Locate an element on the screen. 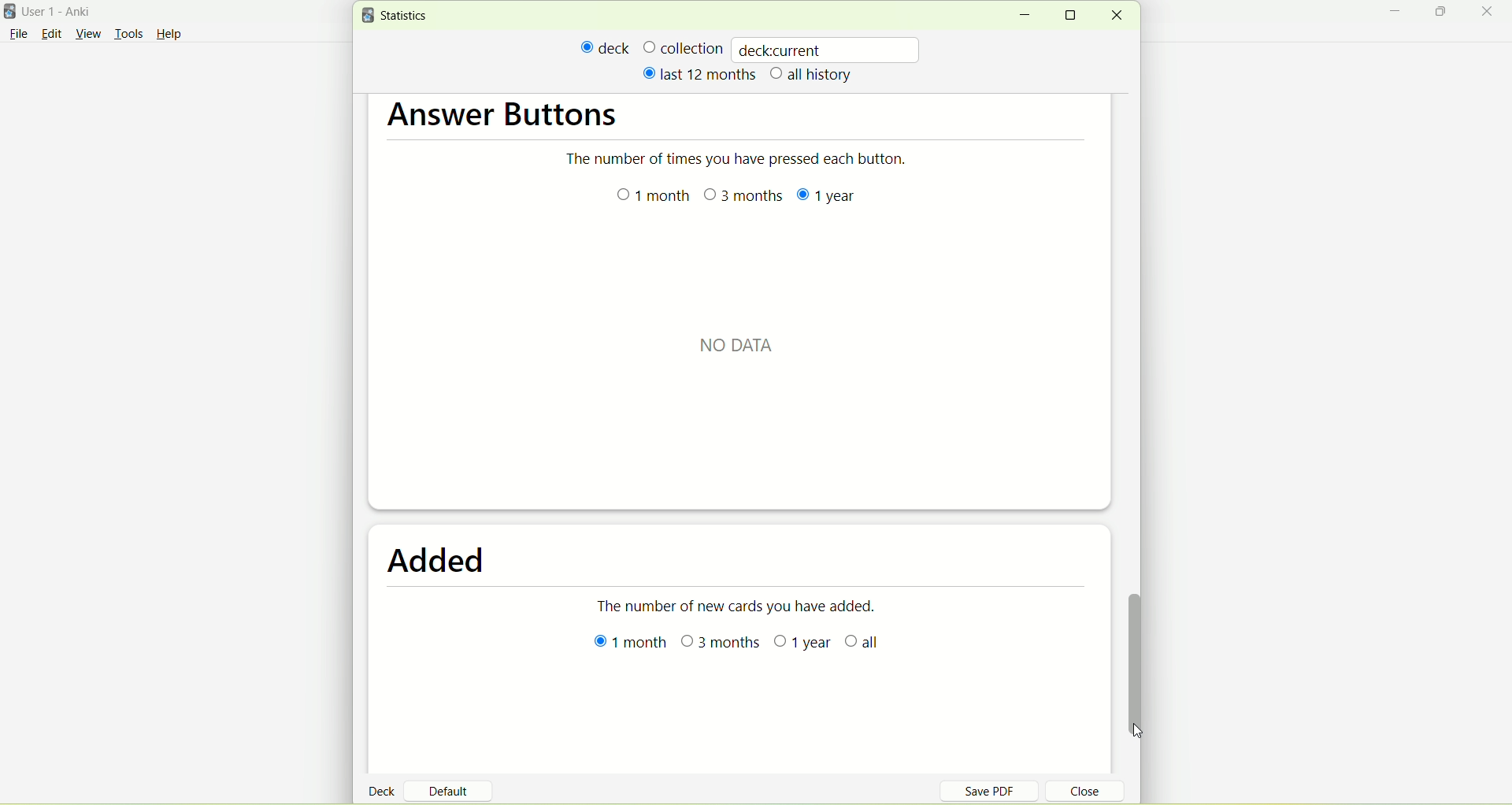  minimize is located at coordinates (1024, 16).